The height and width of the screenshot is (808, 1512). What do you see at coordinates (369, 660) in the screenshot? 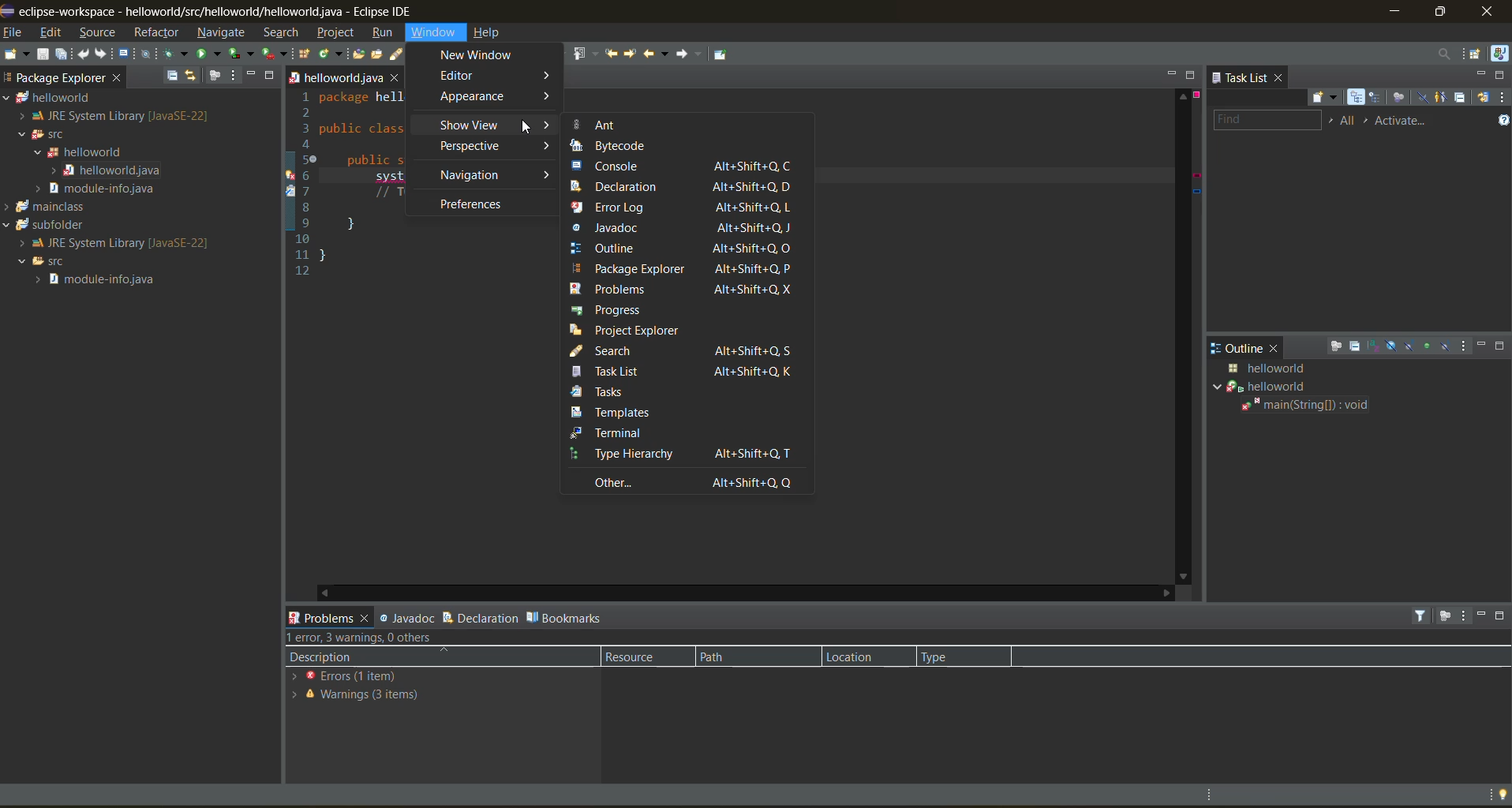
I see `description` at bounding box center [369, 660].